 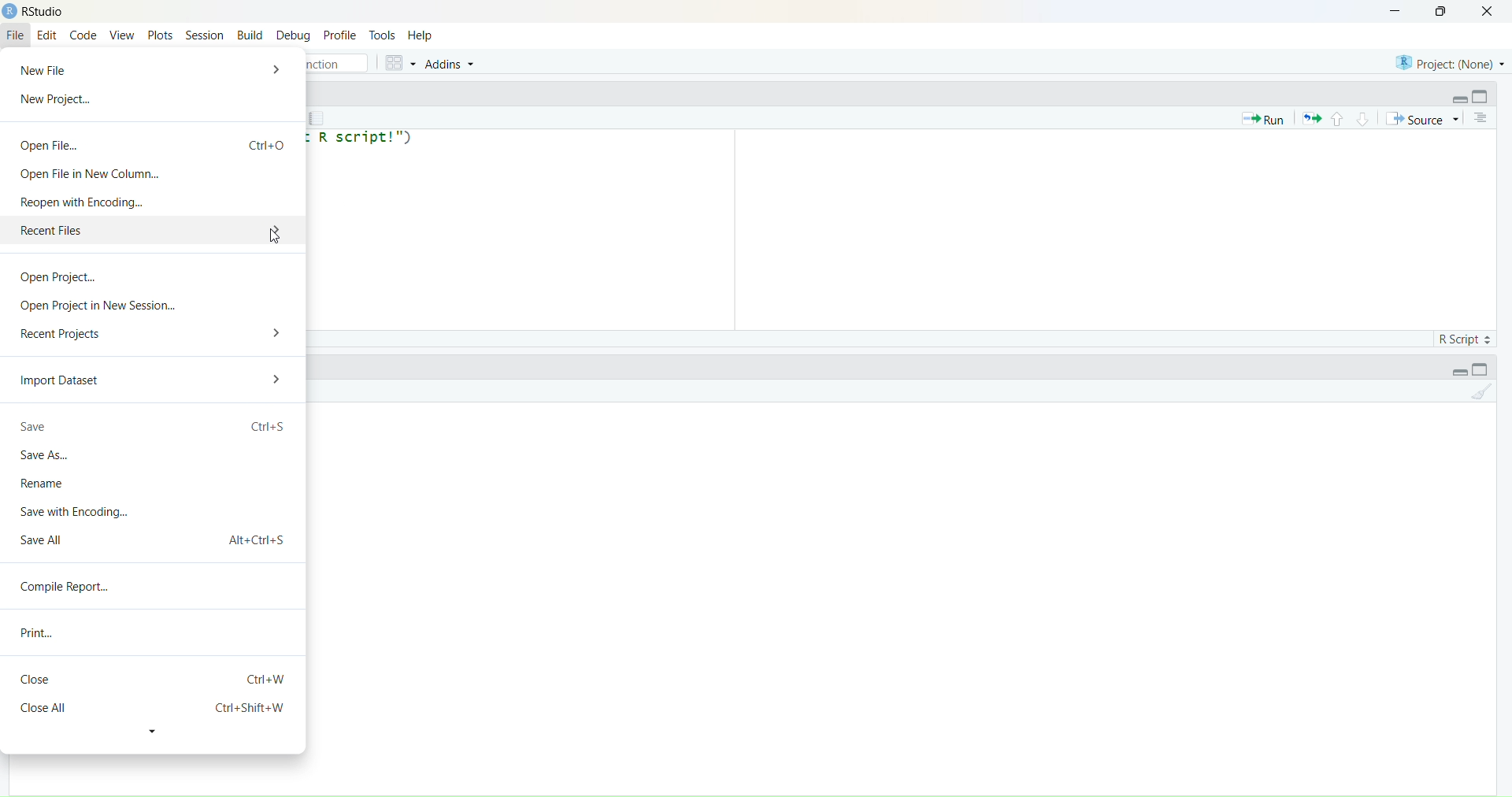 I want to click on Minimize, so click(x=1459, y=373).